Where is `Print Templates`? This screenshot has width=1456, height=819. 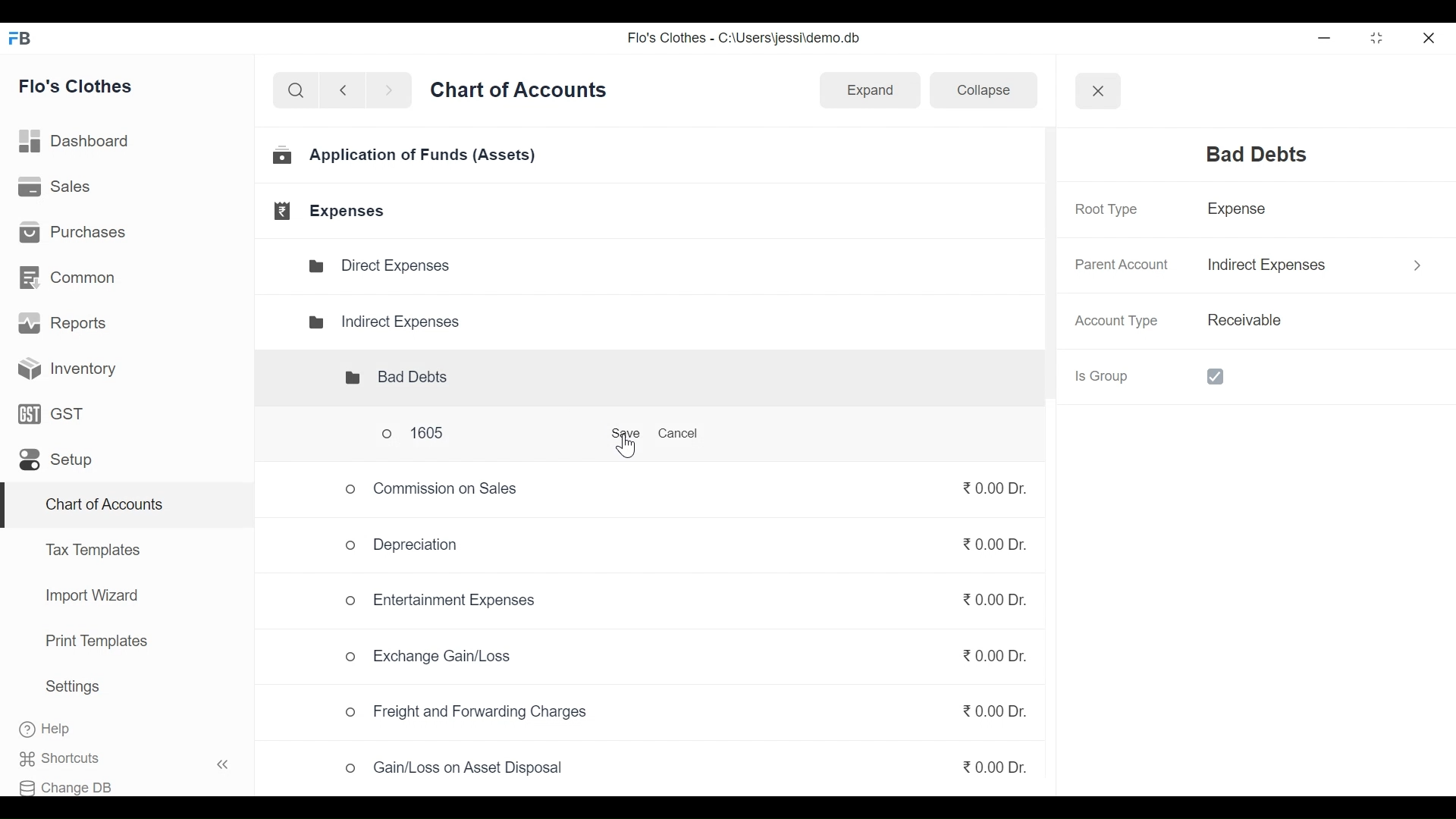
Print Templates is located at coordinates (95, 641).